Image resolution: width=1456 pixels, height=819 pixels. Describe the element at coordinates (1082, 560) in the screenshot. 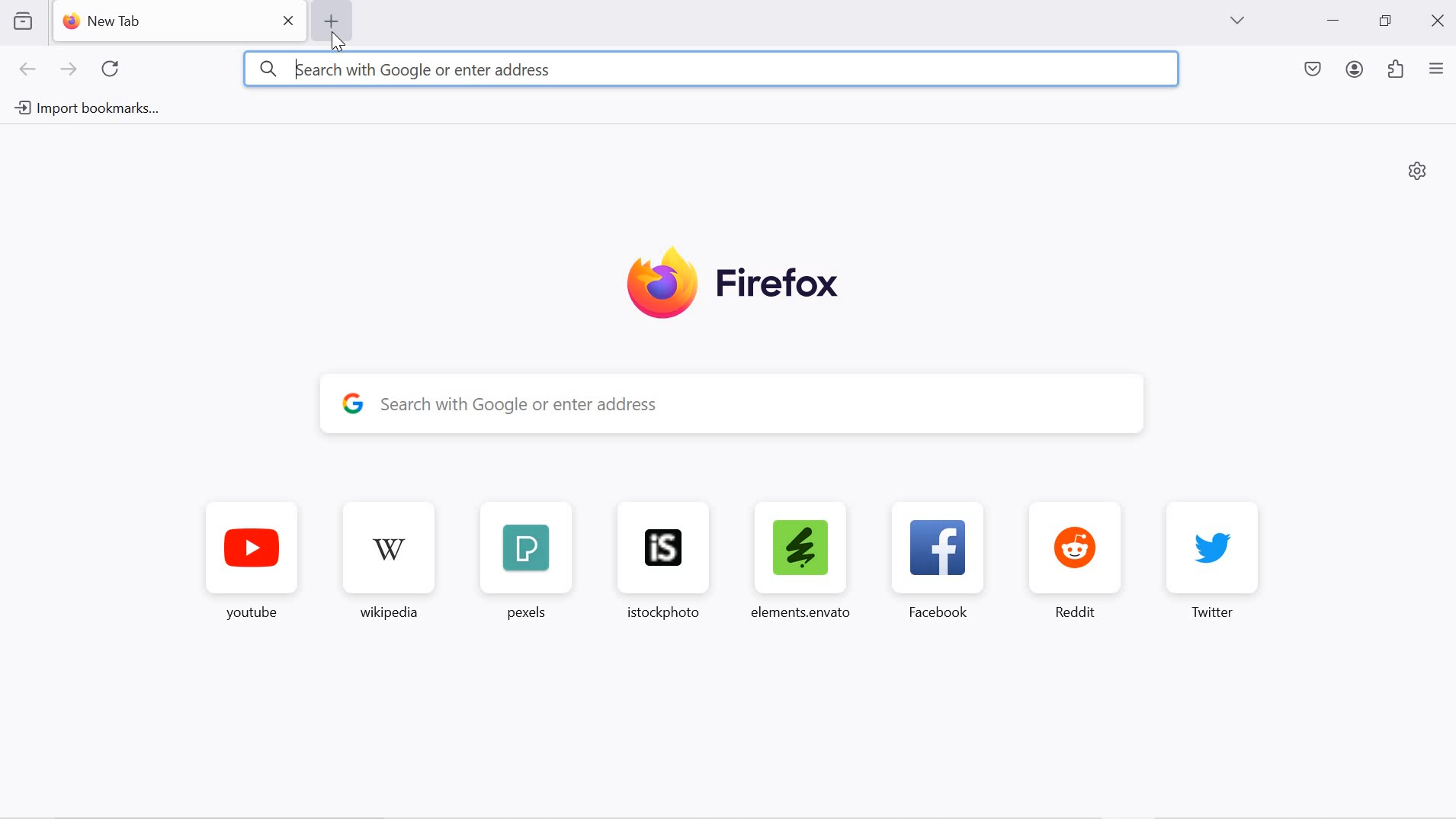

I see `reddit favorite` at that location.